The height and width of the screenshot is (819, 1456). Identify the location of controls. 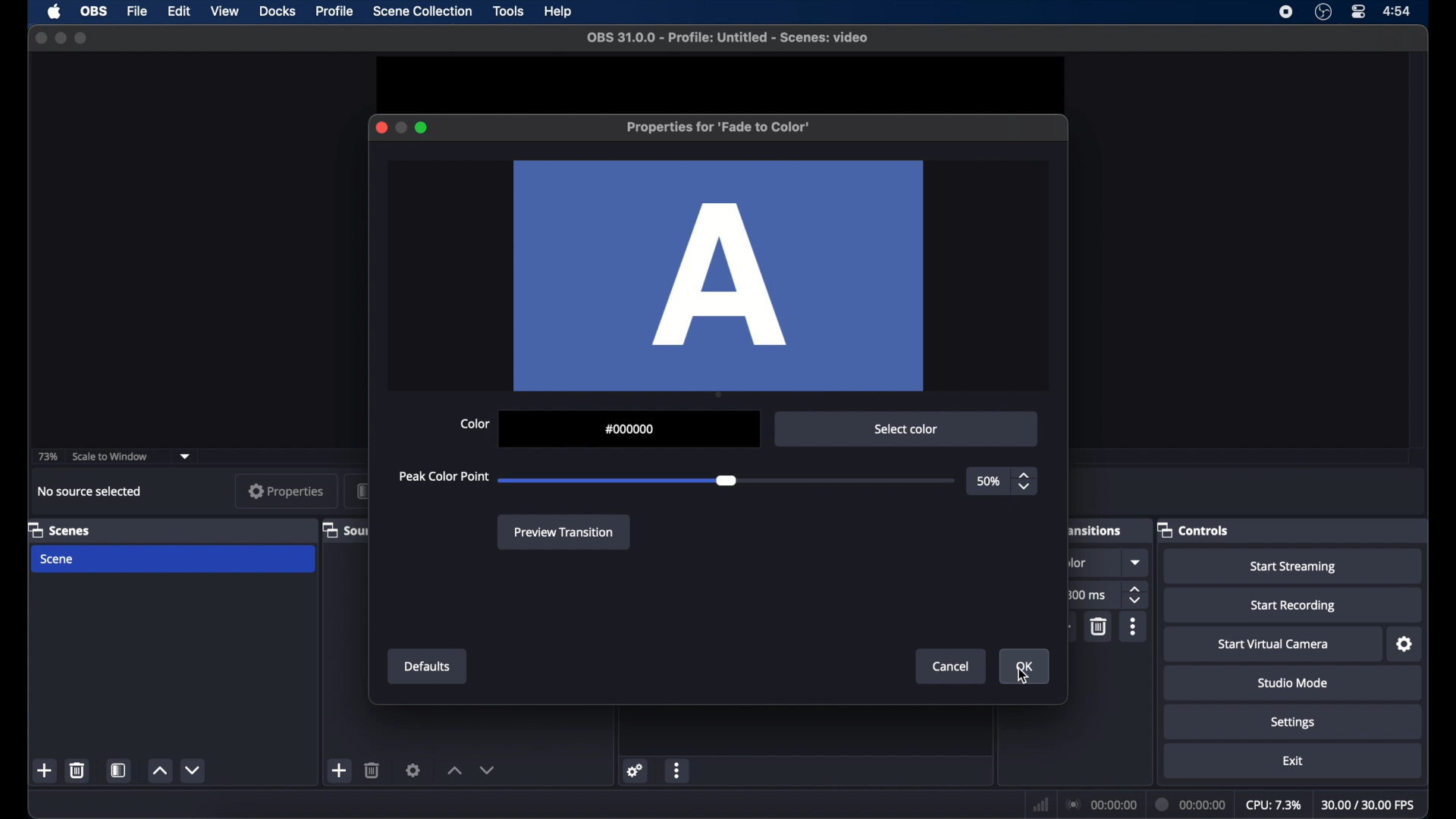
(1192, 529).